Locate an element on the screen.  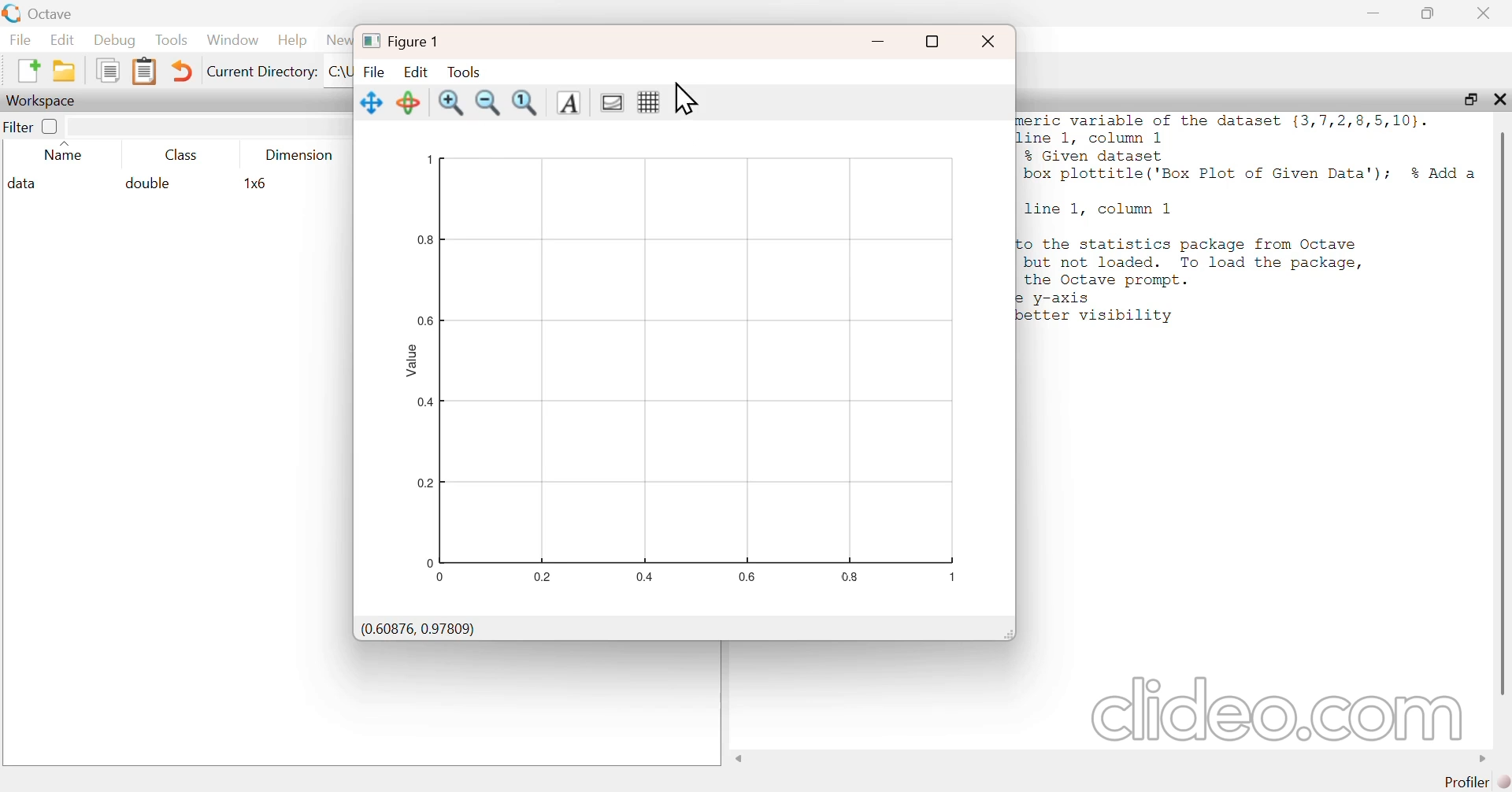
class is located at coordinates (182, 155).